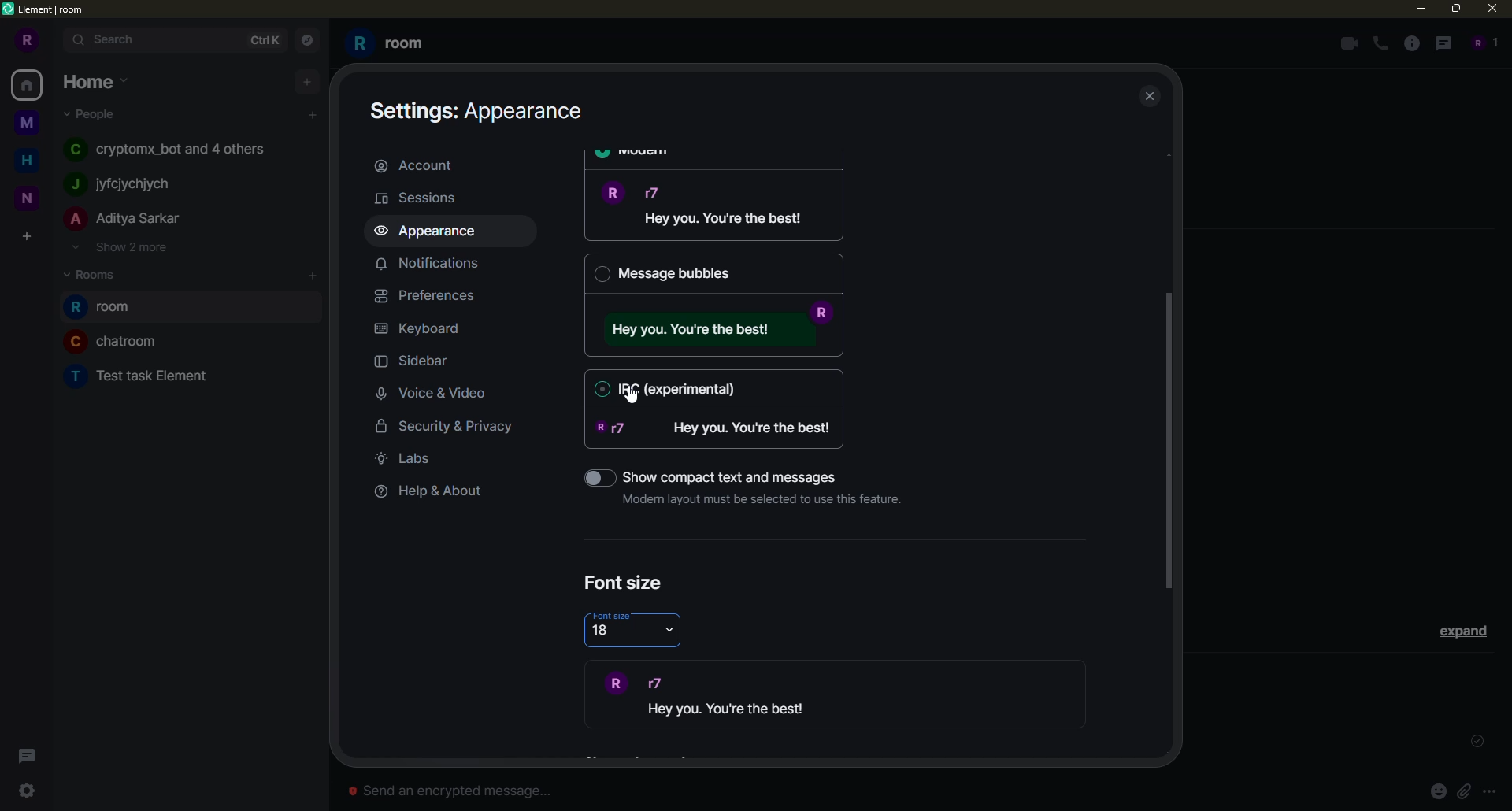 Image resolution: width=1512 pixels, height=811 pixels. I want to click on home, so click(31, 158).